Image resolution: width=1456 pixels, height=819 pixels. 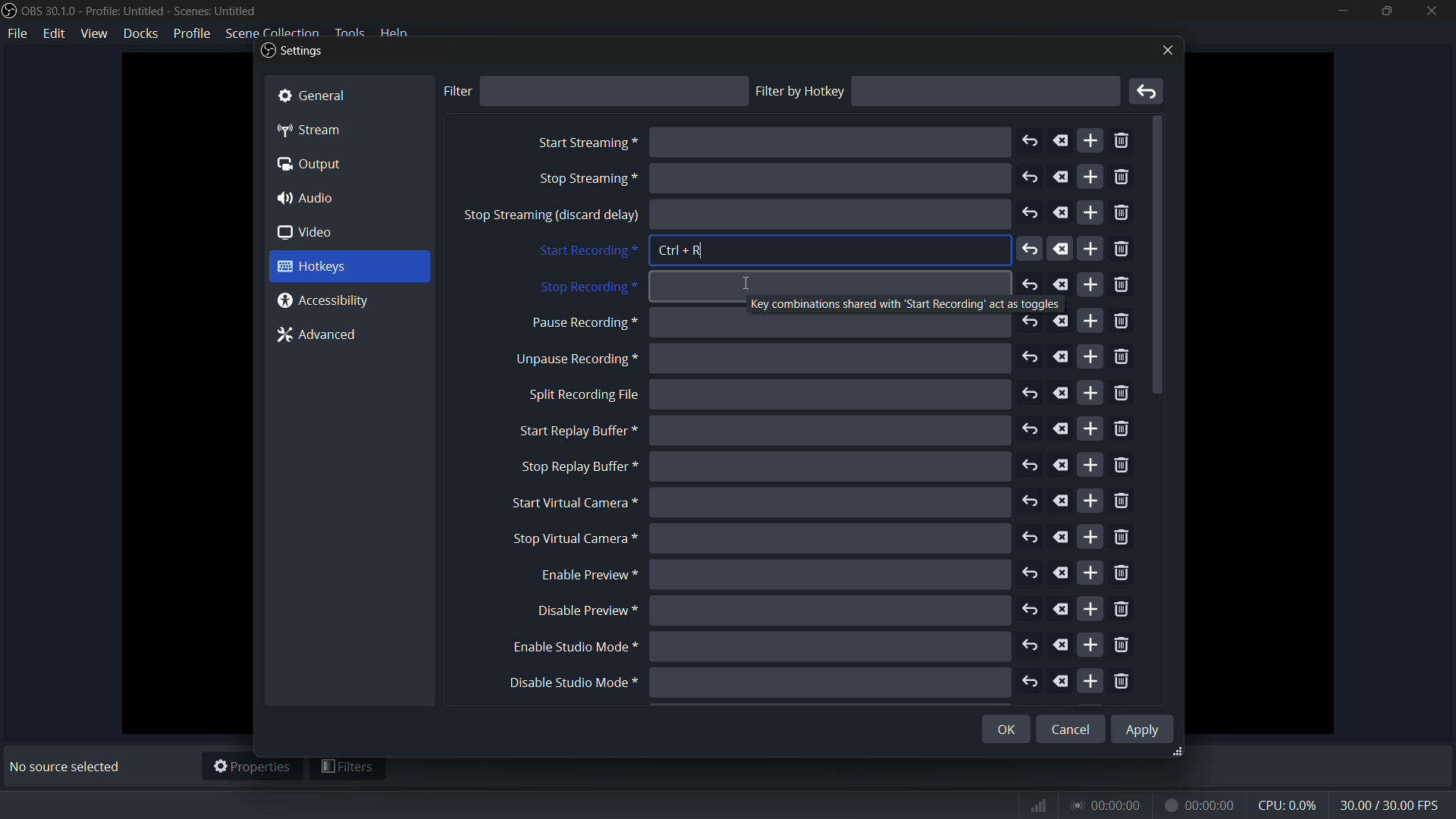 What do you see at coordinates (1123, 466) in the screenshot?
I see `remove` at bounding box center [1123, 466].